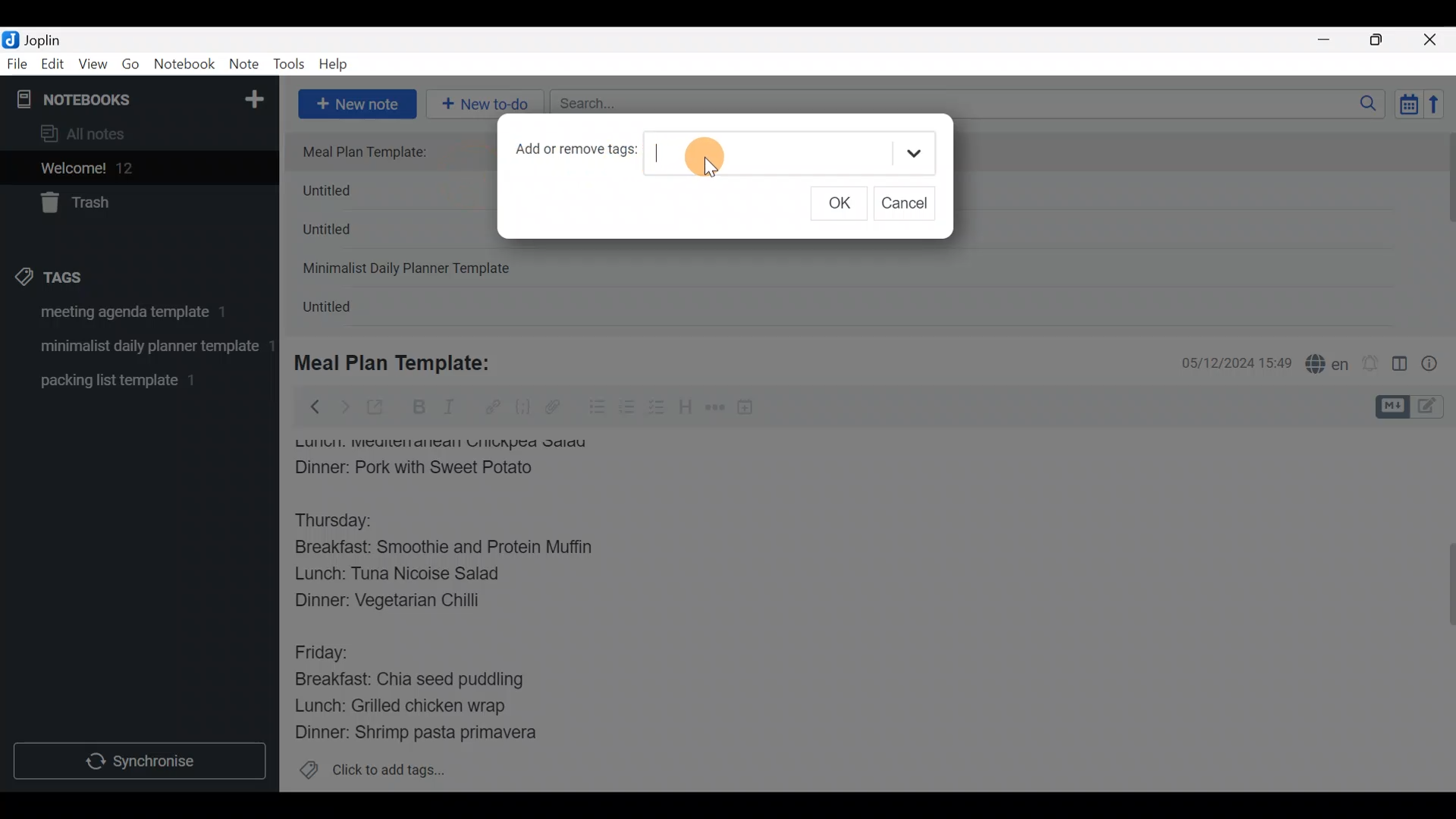 The height and width of the screenshot is (819, 1456). I want to click on Welcome!, so click(137, 169).